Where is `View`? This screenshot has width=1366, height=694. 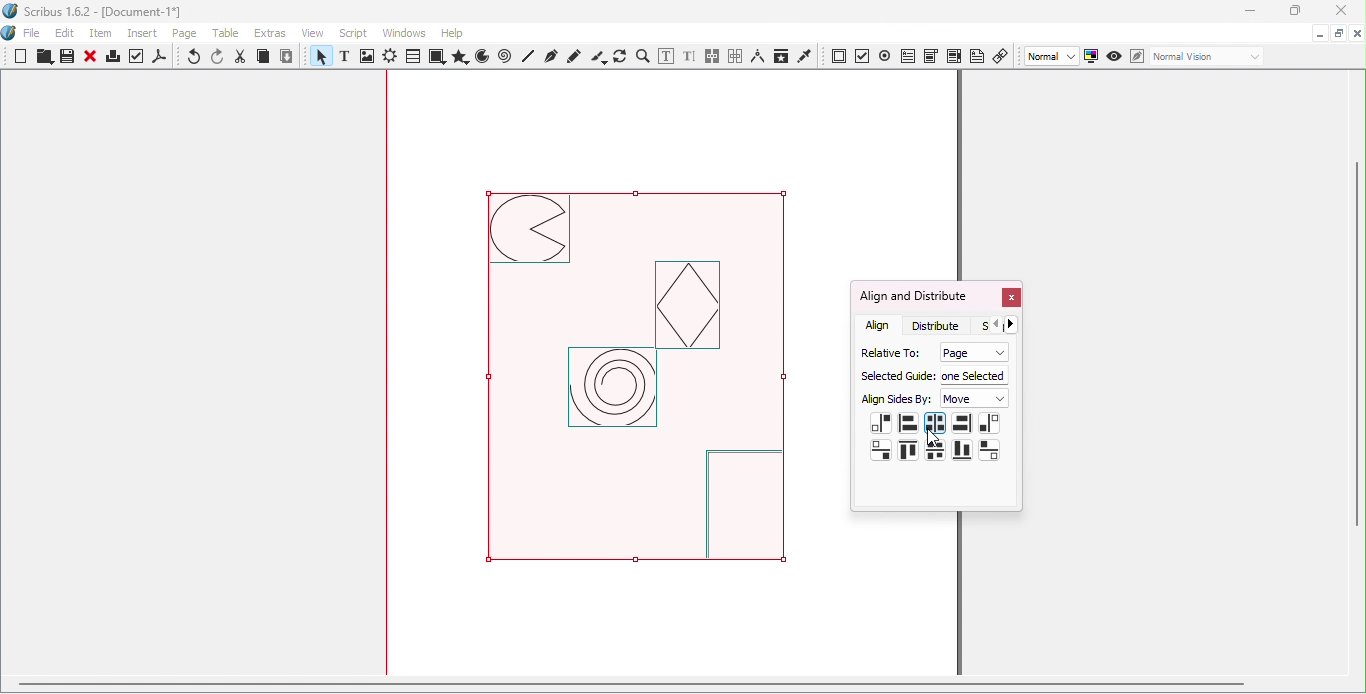 View is located at coordinates (317, 32).